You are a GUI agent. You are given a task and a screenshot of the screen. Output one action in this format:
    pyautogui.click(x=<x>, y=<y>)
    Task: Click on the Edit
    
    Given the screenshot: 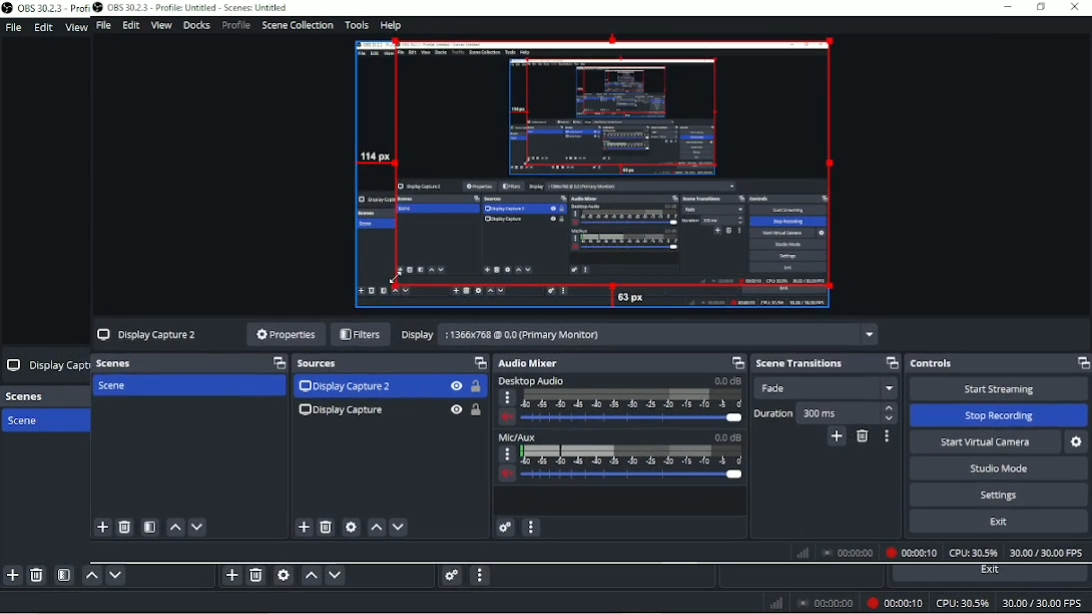 What is the action you would take?
    pyautogui.click(x=44, y=26)
    